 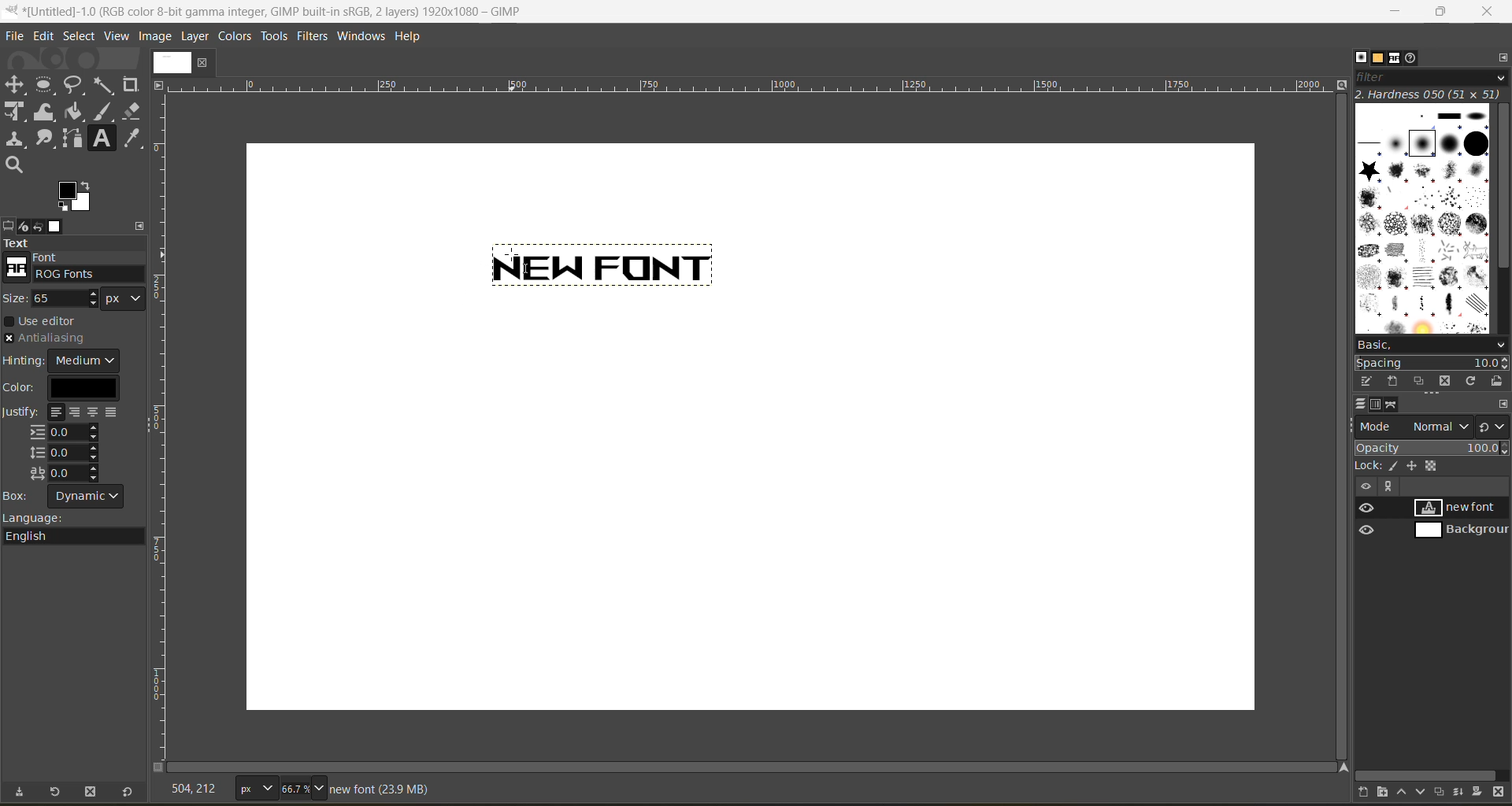 I want to click on maximize, so click(x=1446, y=12).